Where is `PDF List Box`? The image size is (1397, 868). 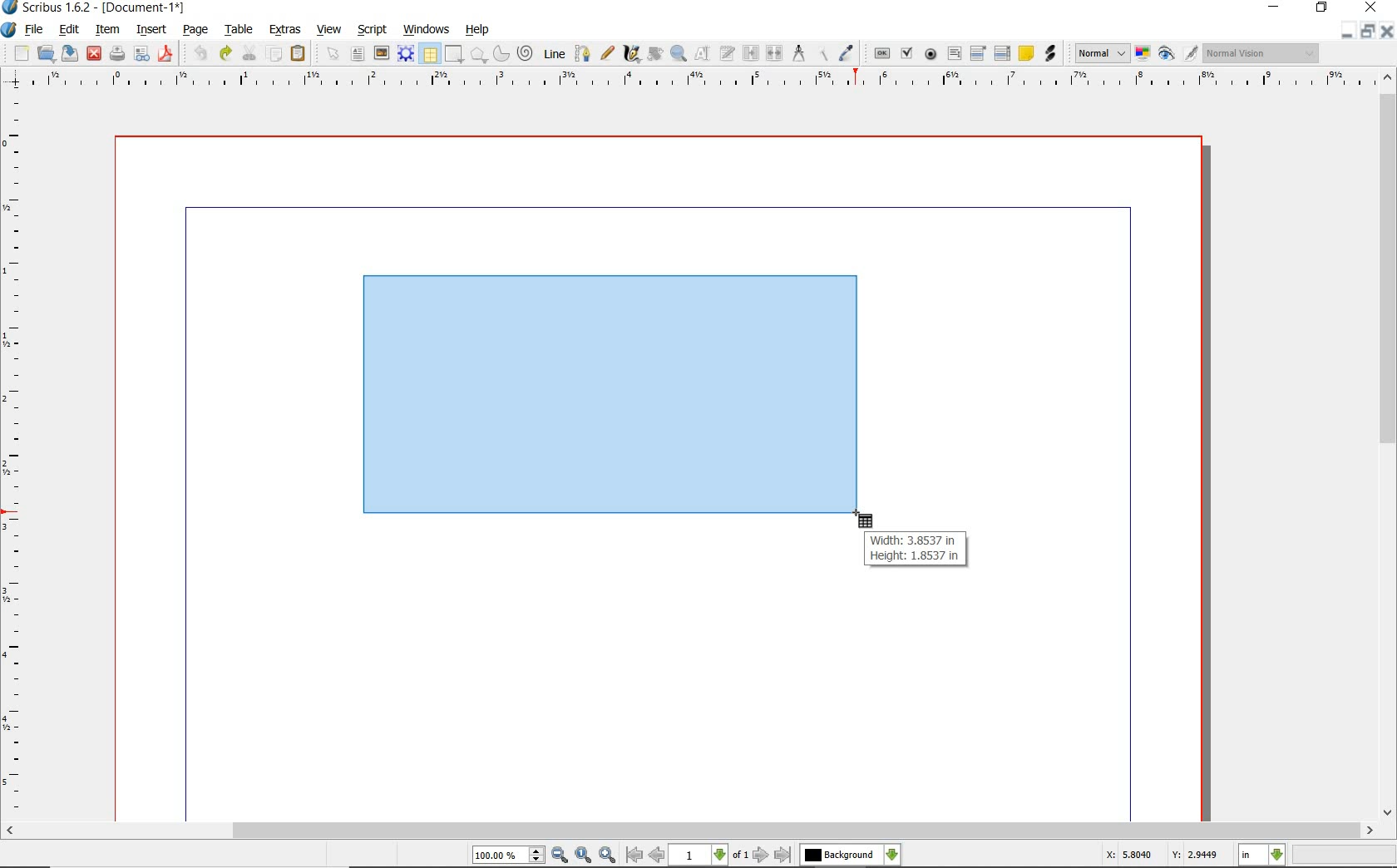 PDF List Box is located at coordinates (1002, 53).